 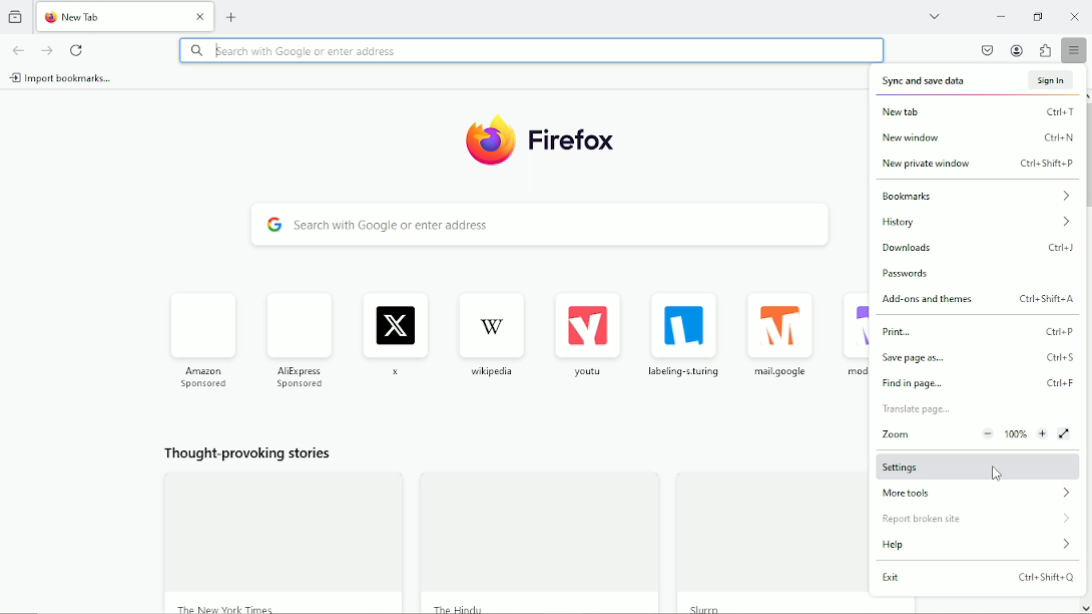 What do you see at coordinates (978, 111) in the screenshot?
I see `New tab` at bounding box center [978, 111].